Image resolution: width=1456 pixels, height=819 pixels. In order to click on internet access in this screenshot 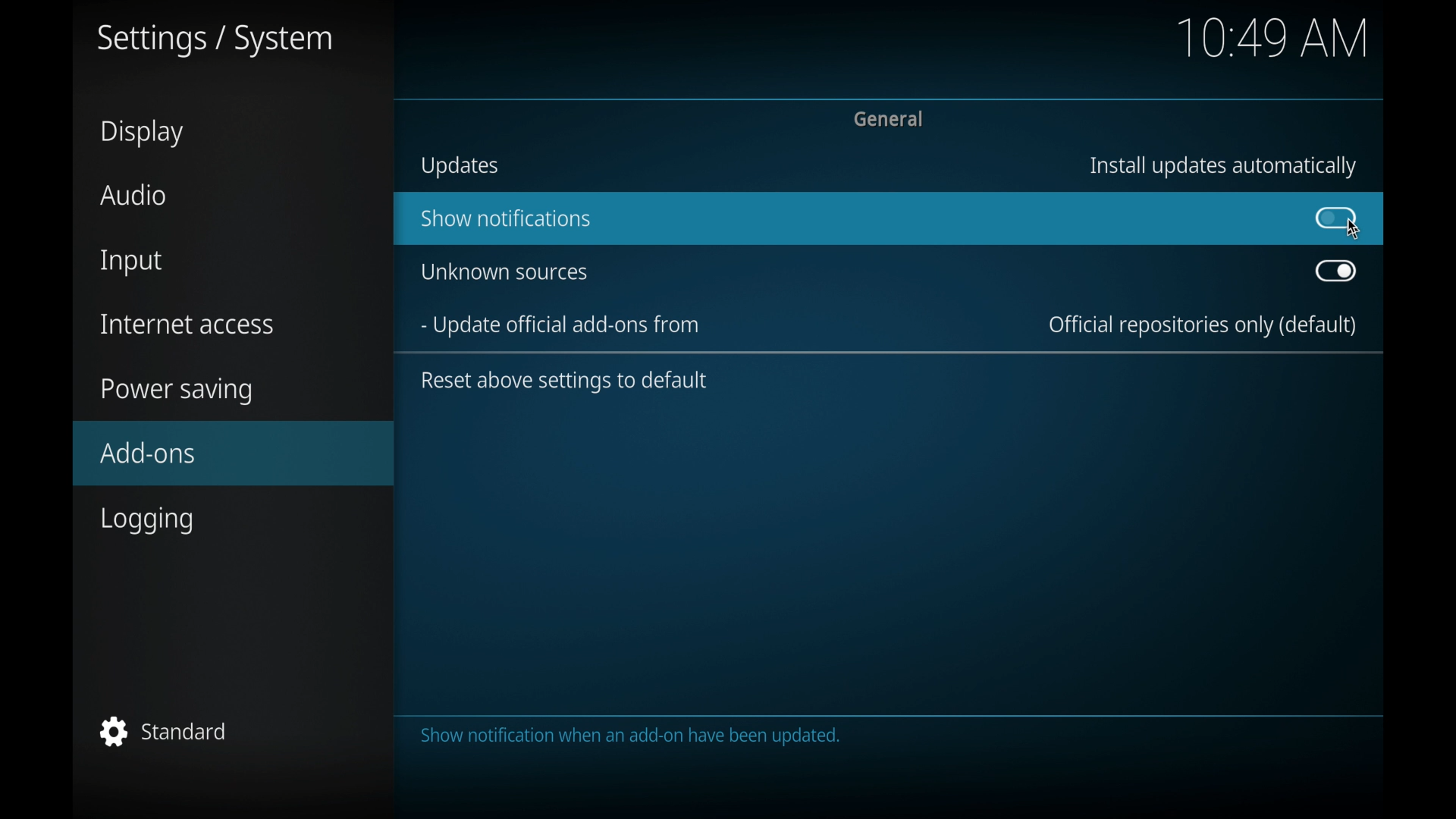, I will do `click(188, 323)`.